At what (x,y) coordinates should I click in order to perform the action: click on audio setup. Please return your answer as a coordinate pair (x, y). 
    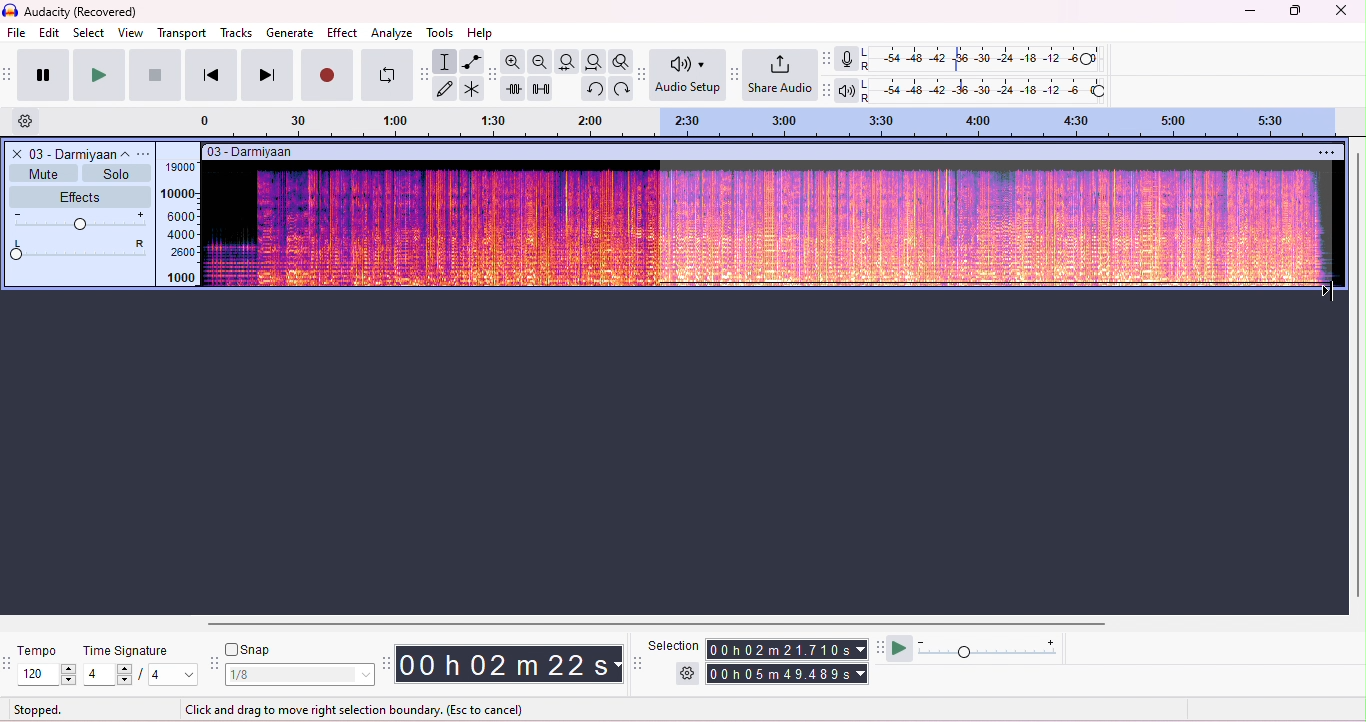
    Looking at the image, I should click on (688, 75).